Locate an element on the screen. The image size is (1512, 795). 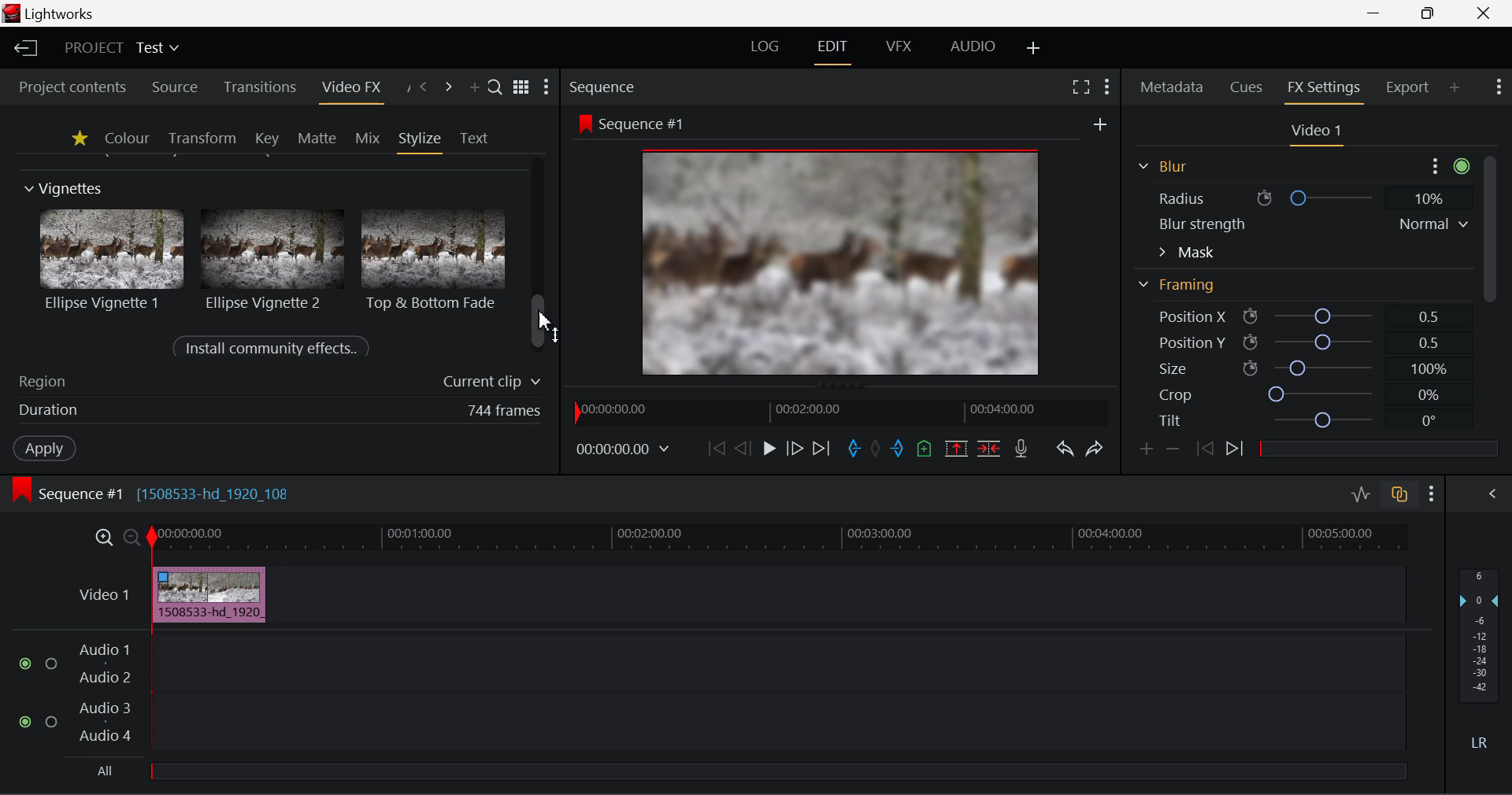
Video FX Panel Open is located at coordinates (355, 89).